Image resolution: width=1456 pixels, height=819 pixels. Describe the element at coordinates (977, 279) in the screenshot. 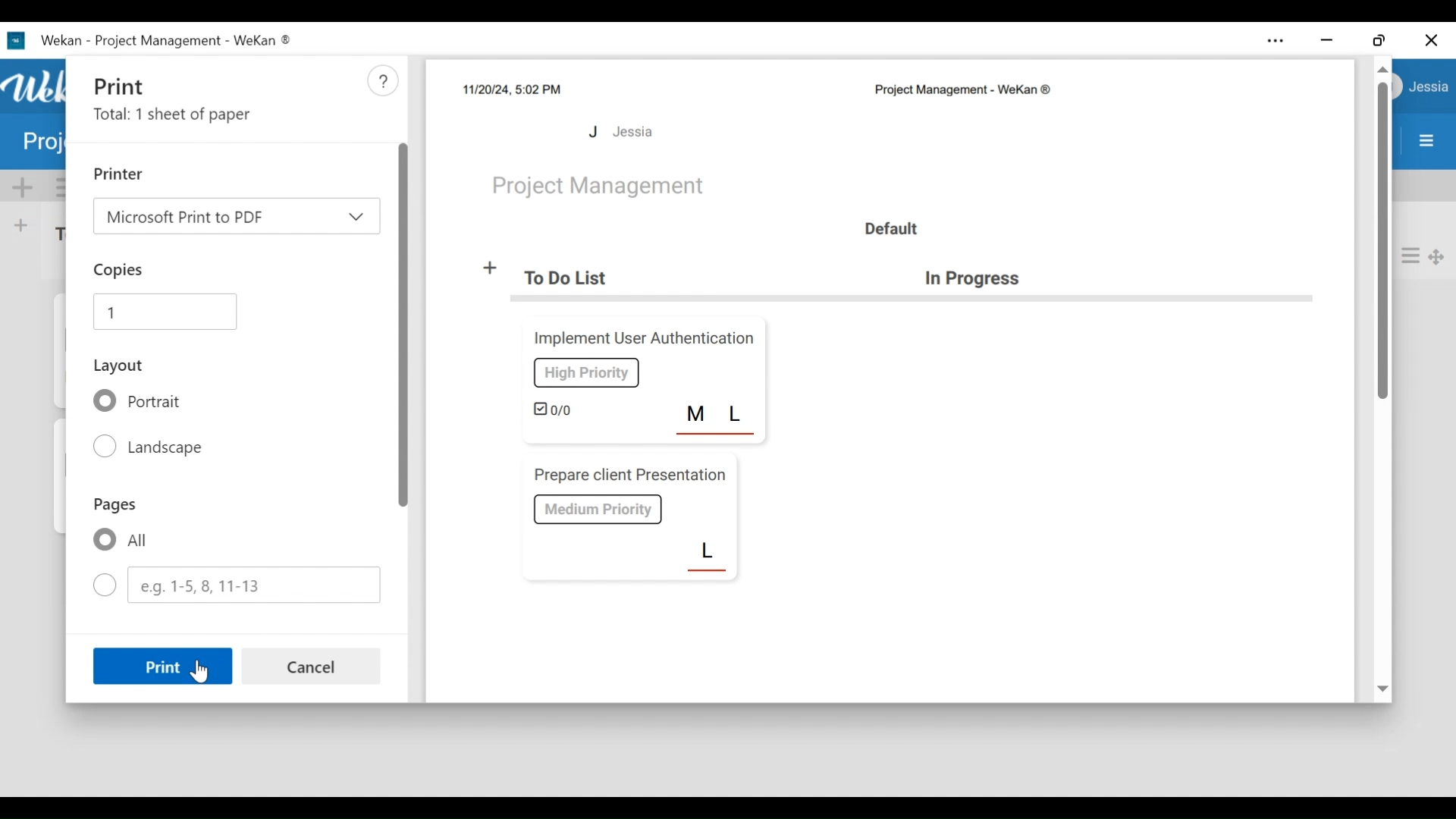

I see `list Title` at that location.